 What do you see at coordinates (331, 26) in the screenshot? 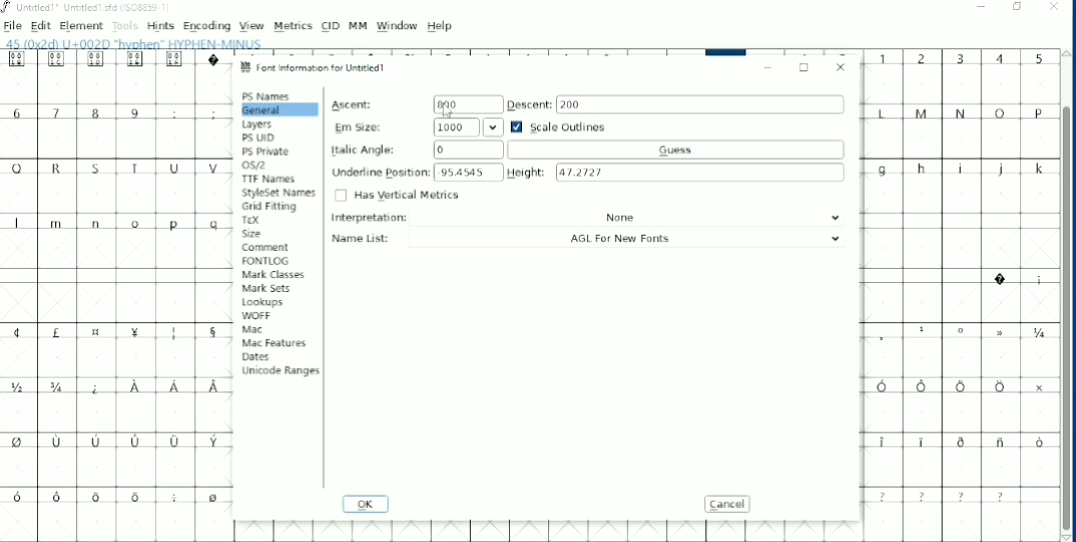
I see `CID` at bounding box center [331, 26].